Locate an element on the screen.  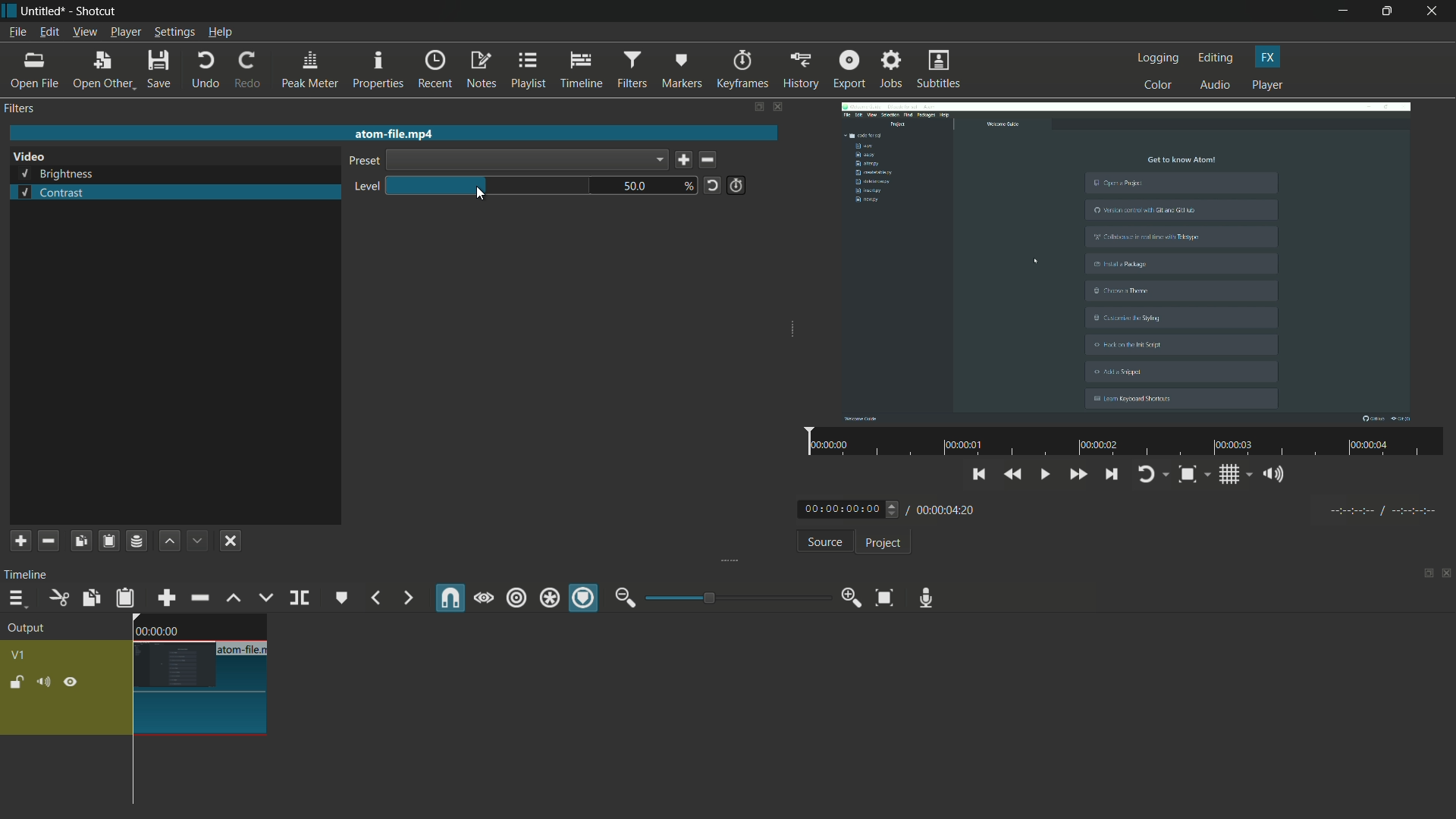
toggle grid system is located at coordinates (1237, 477).